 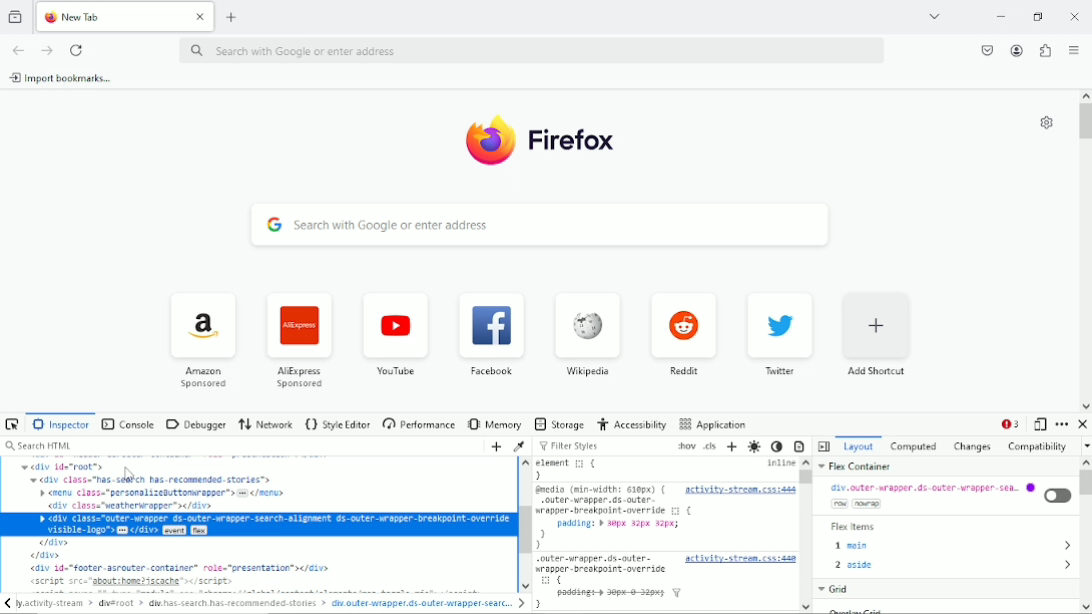 What do you see at coordinates (522, 603) in the screenshot?
I see `Next` at bounding box center [522, 603].